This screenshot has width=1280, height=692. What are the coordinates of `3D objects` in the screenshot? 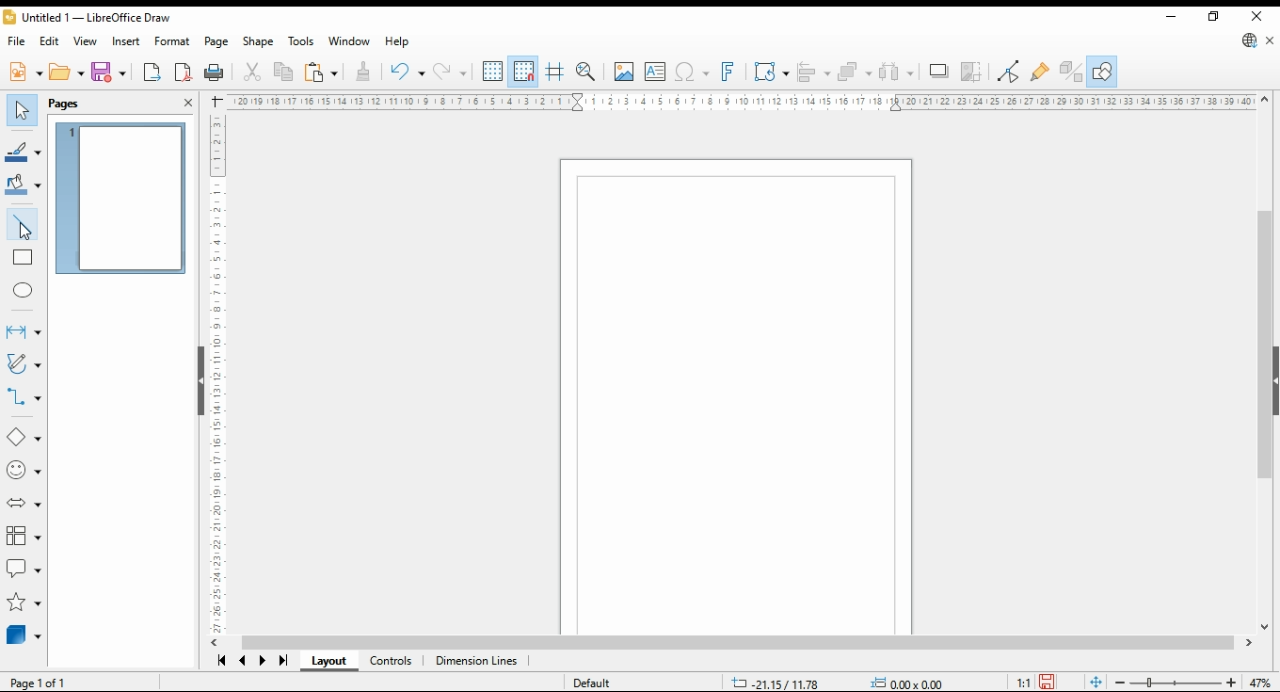 It's located at (24, 636).